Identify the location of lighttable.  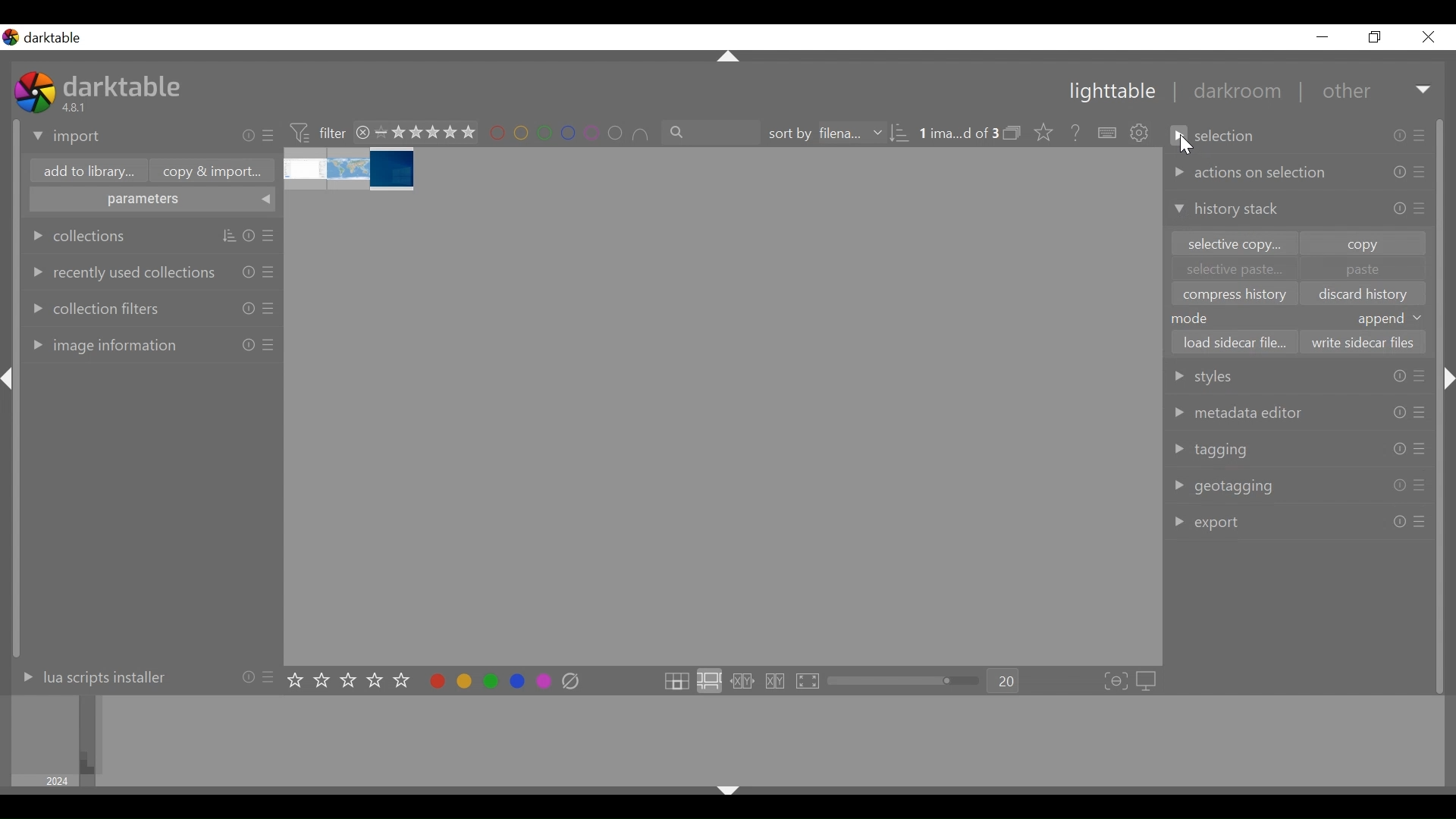
(1111, 93).